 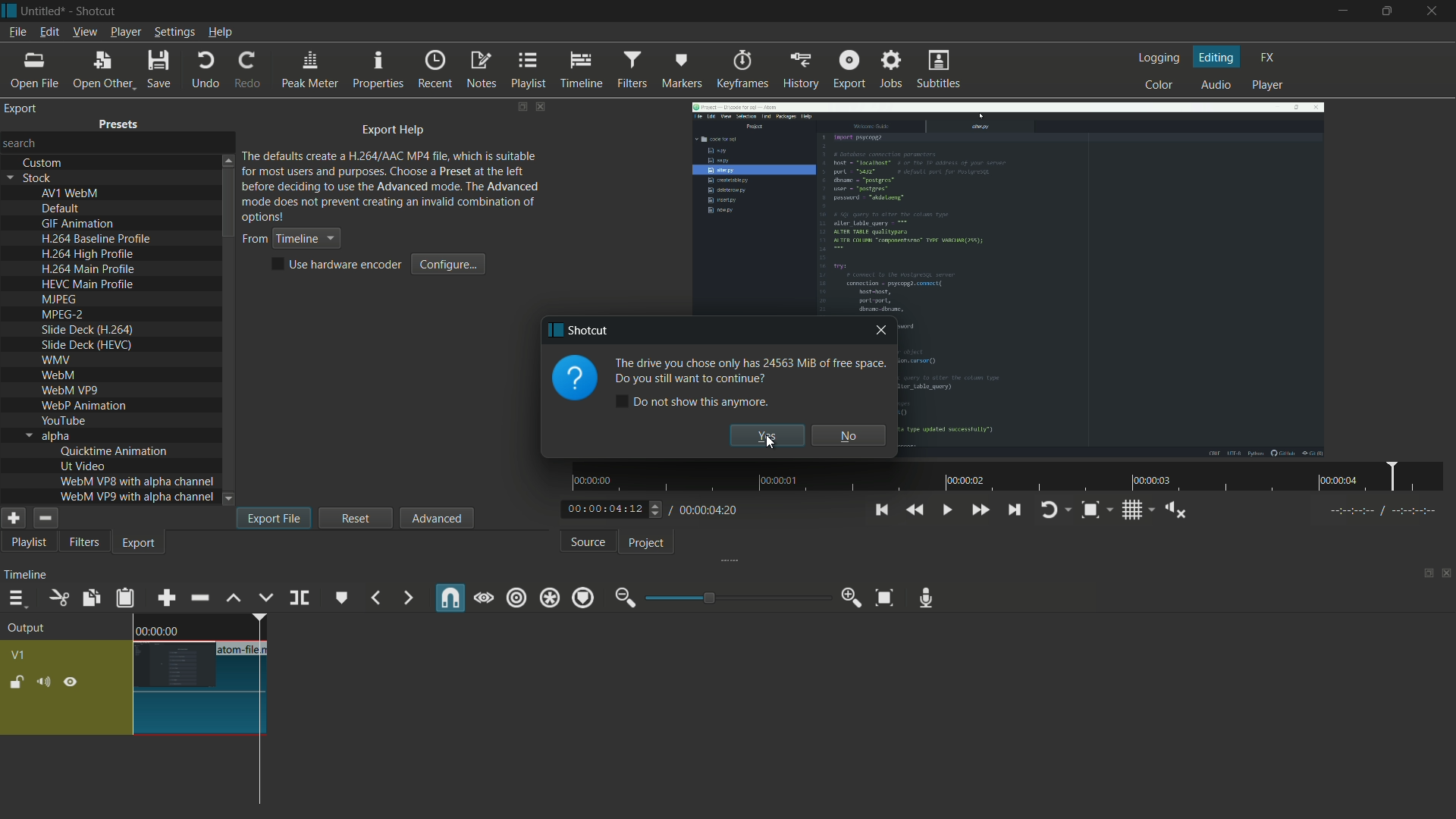 I want to click on app name, so click(x=94, y=11).